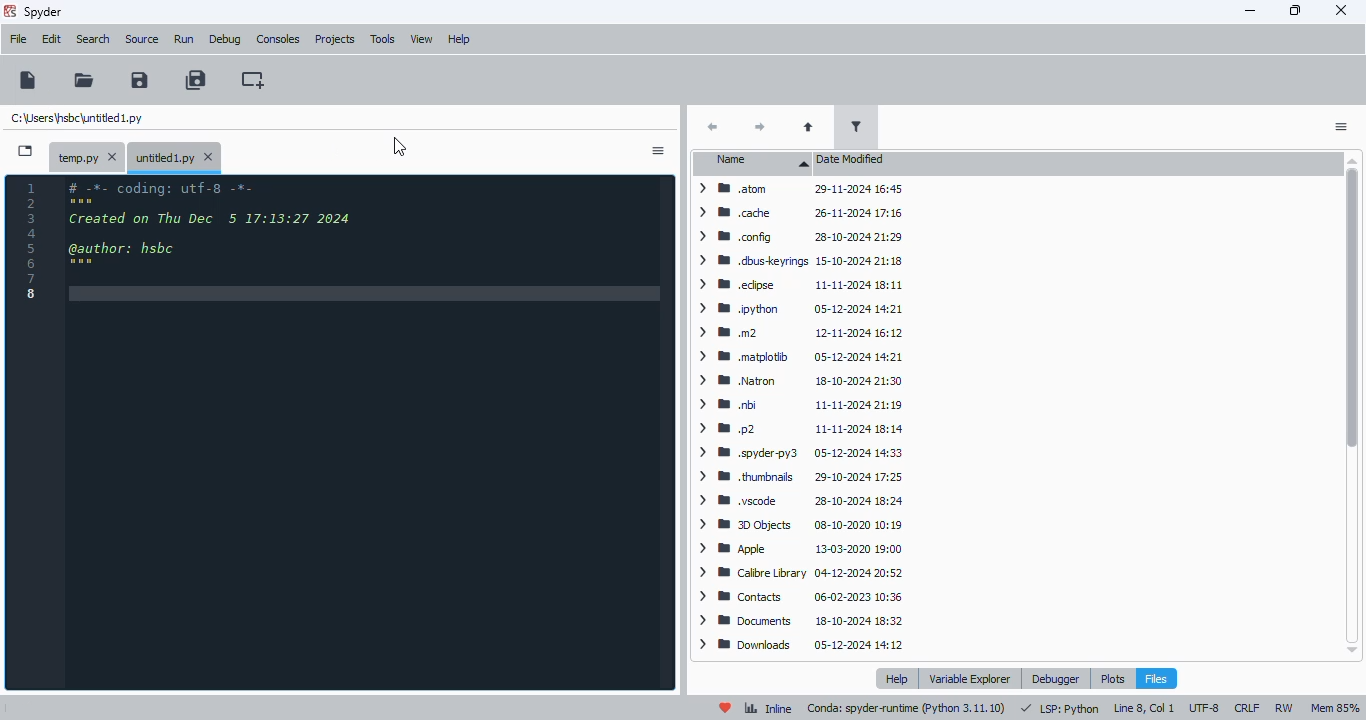 The width and height of the screenshot is (1366, 720). Describe the element at coordinates (658, 151) in the screenshot. I see `actions` at that location.